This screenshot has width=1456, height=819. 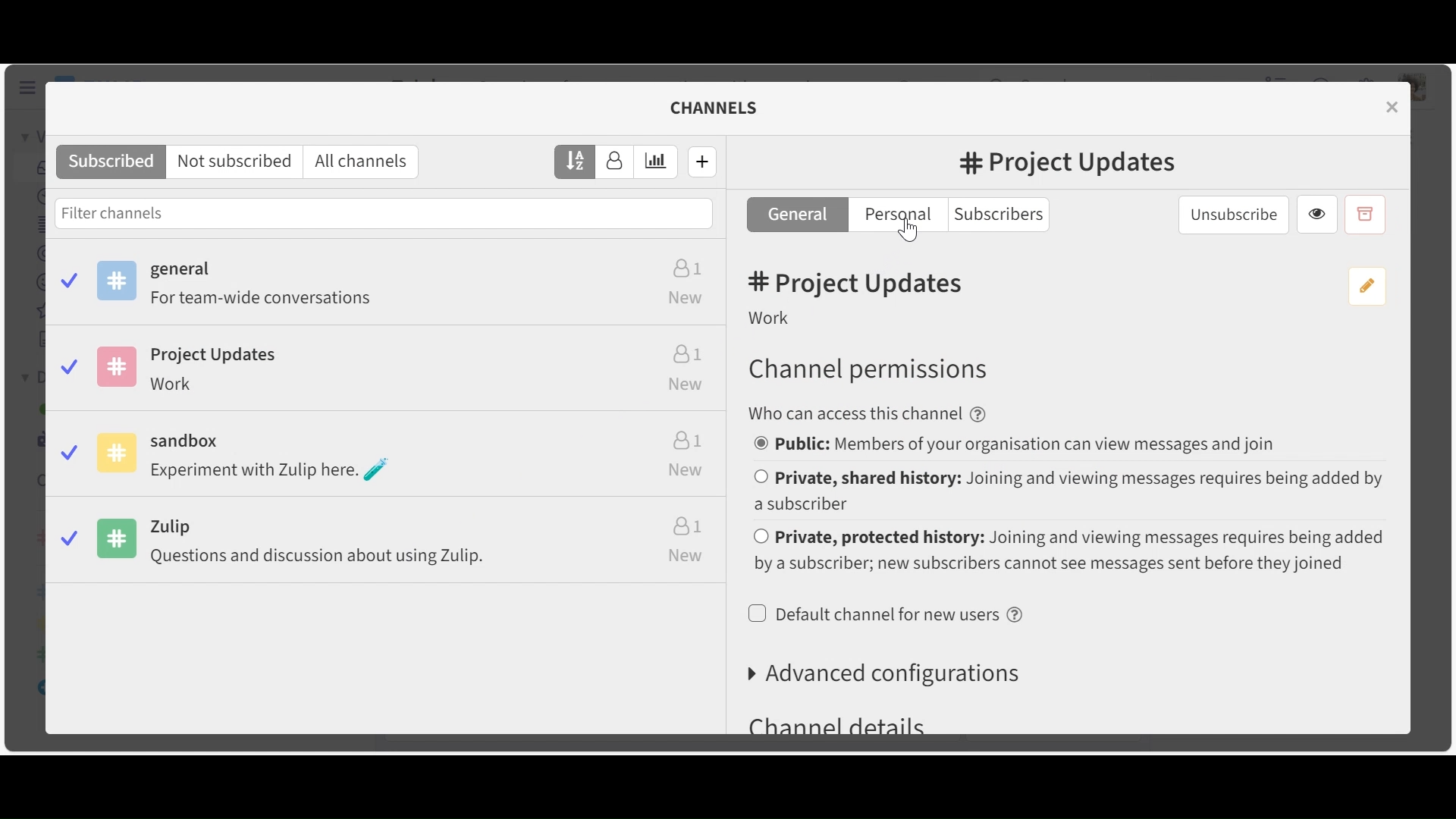 I want to click on All channels, so click(x=366, y=162).